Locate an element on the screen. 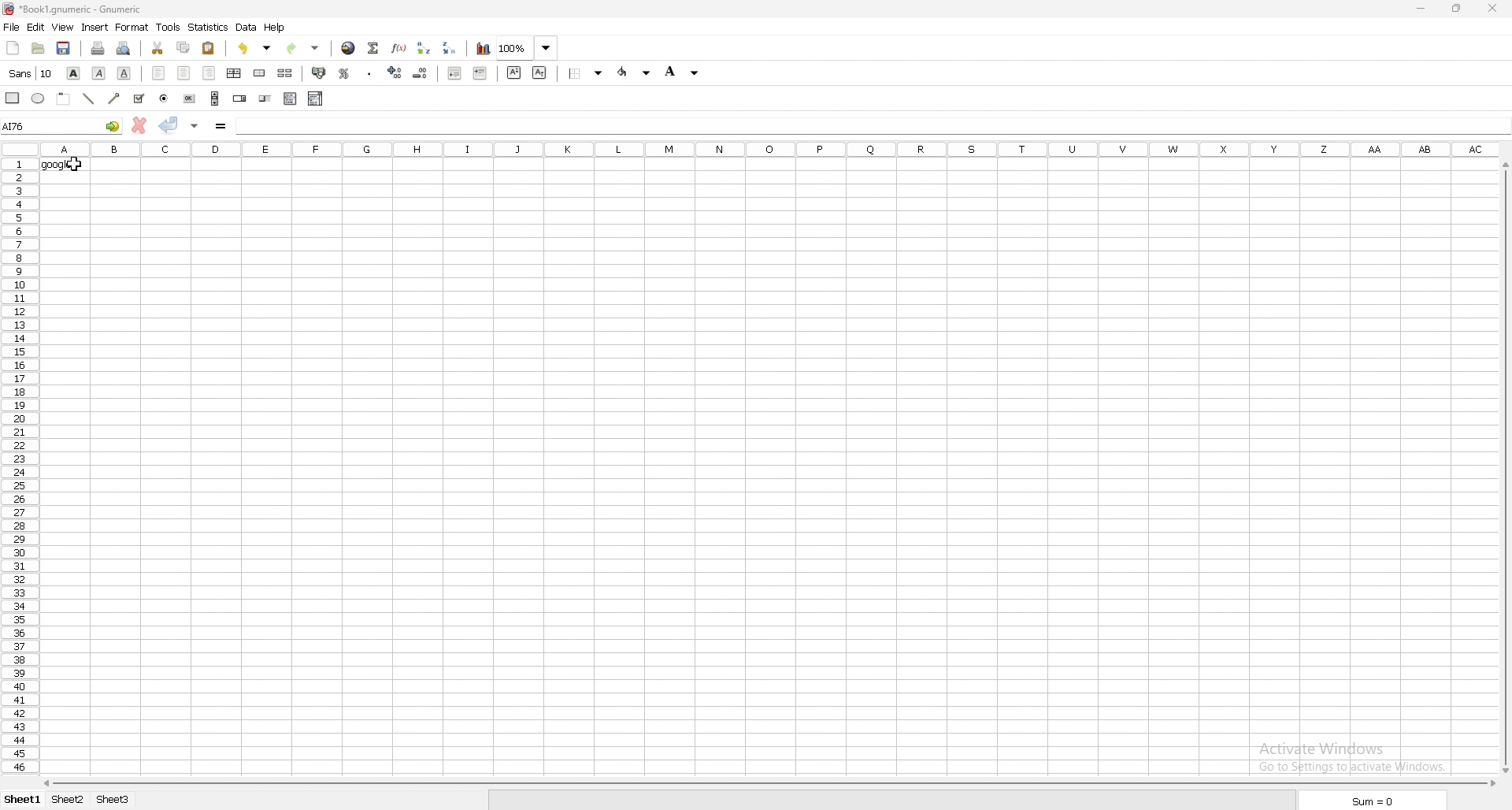 This screenshot has width=1512, height=810. italic is located at coordinates (100, 72).